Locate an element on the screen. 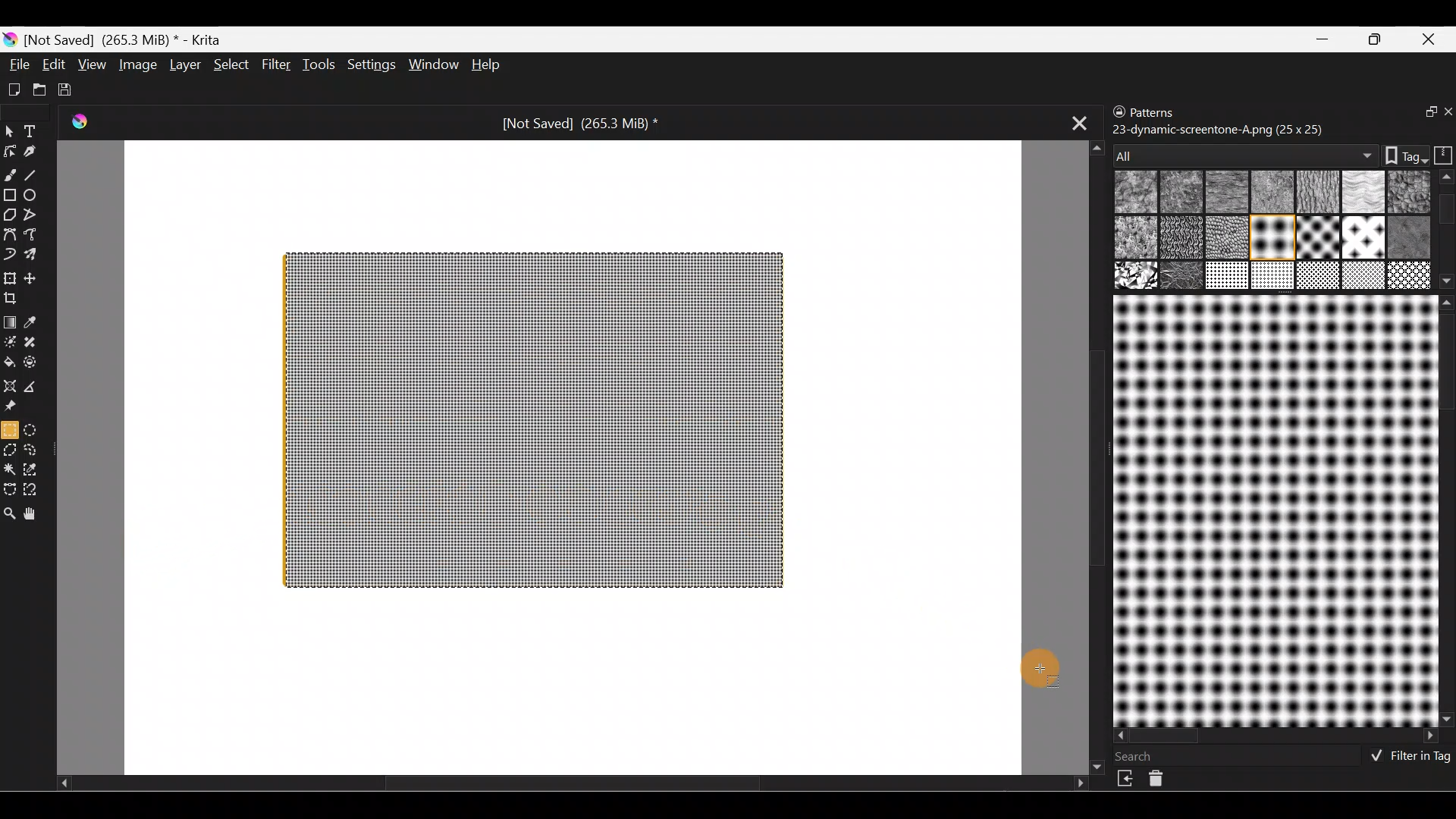 The image size is (1456, 819). Freehand selection tool is located at coordinates (36, 450).